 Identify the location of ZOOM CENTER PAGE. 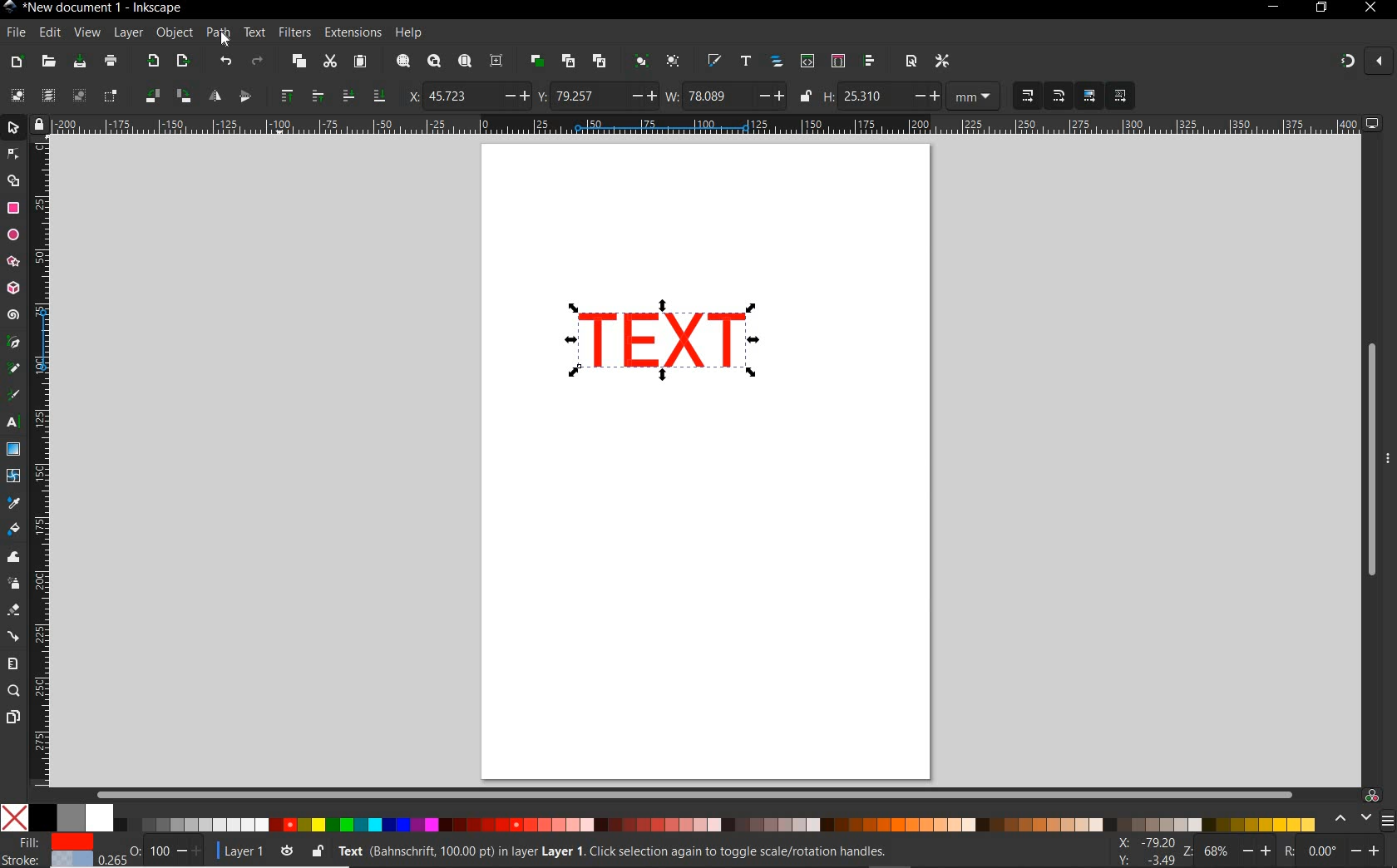
(496, 62).